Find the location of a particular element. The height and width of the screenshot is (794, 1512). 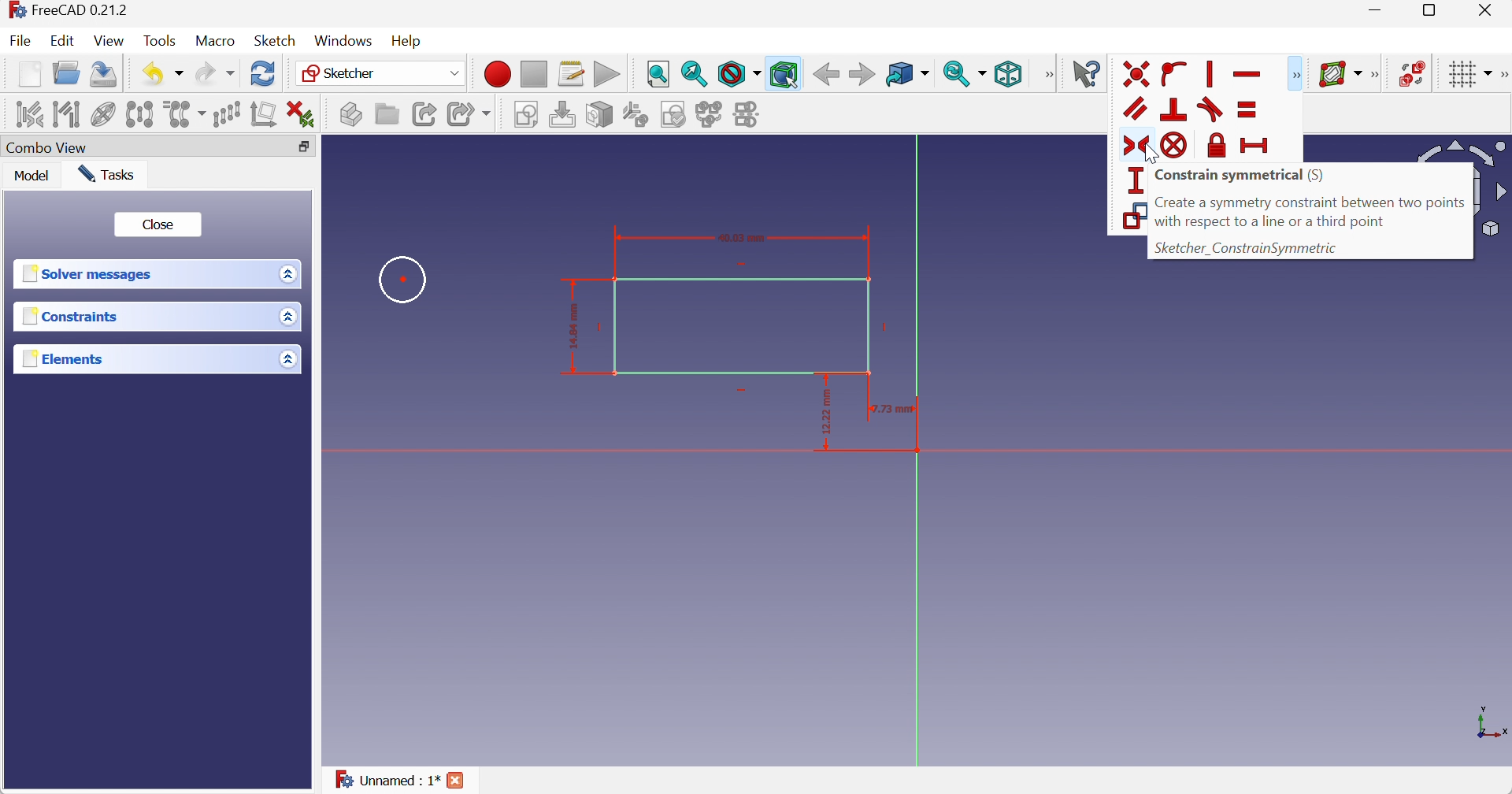

Clone is located at coordinates (187, 114).